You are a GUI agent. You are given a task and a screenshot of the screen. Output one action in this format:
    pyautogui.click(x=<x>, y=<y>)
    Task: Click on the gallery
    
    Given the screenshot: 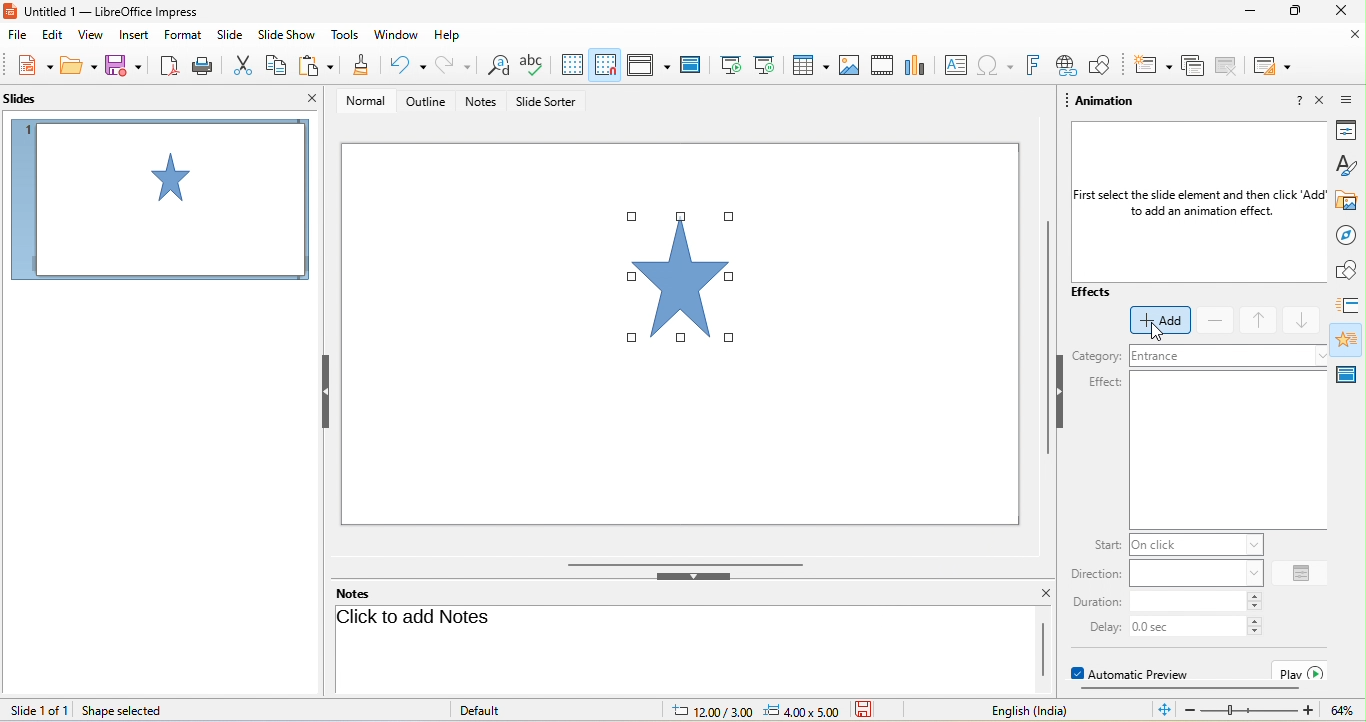 What is the action you would take?
    pyautogui.click(x=1351, y=201)
    